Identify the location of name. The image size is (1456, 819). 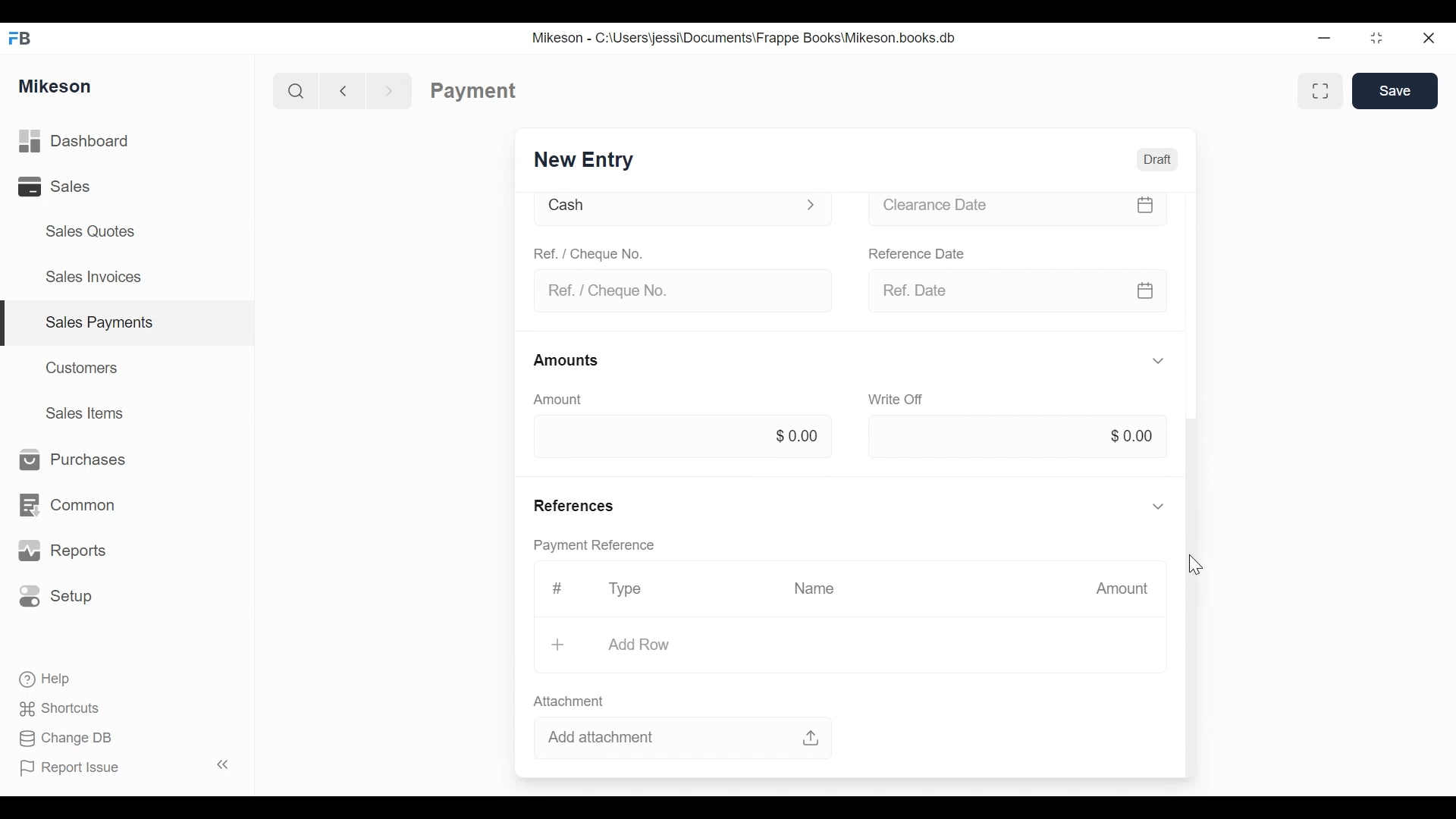
(810, 588).